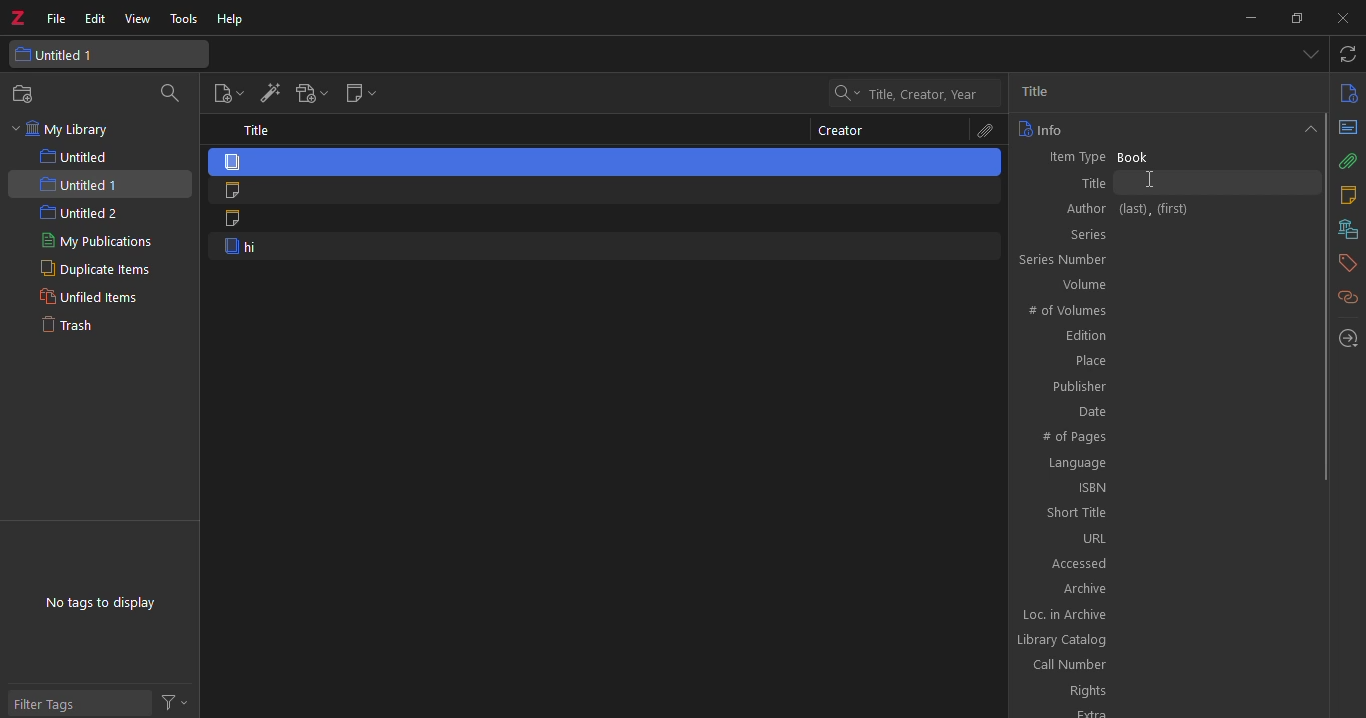 This screenshot has height=718, width=1366. I want to click on maximize, so click(1295, 19).